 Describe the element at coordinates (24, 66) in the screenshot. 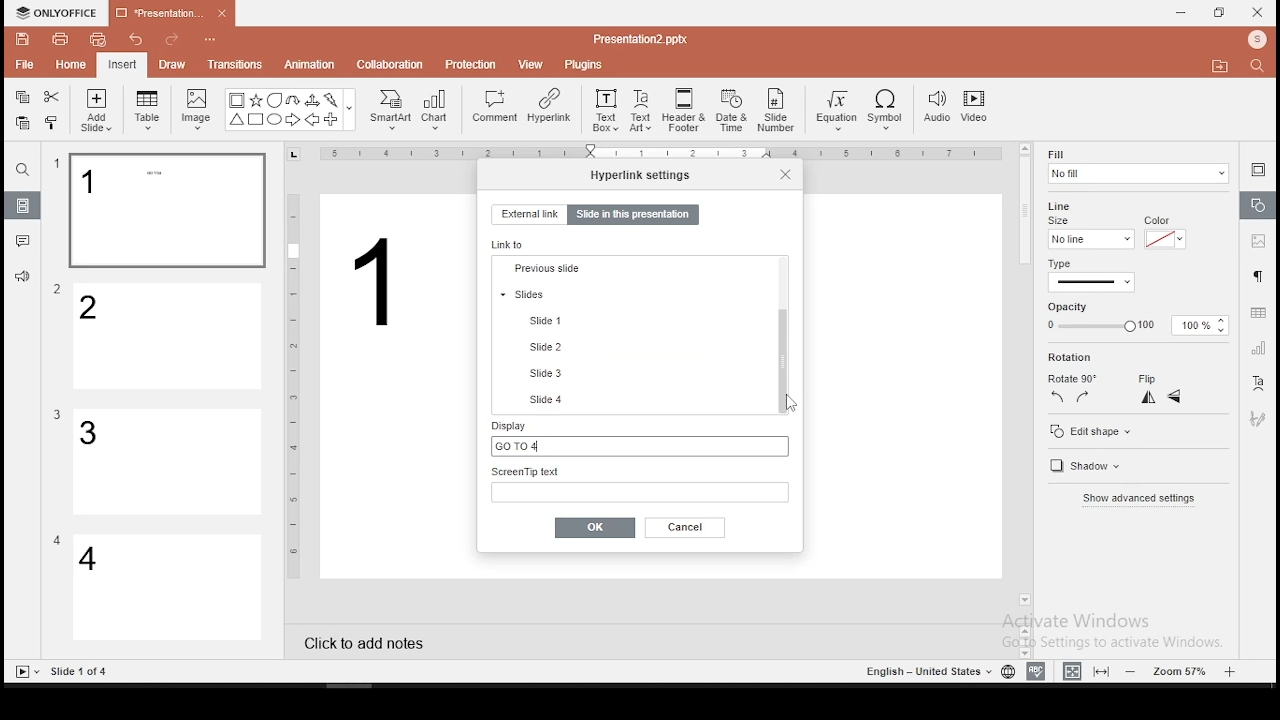

I see `file` at that location.